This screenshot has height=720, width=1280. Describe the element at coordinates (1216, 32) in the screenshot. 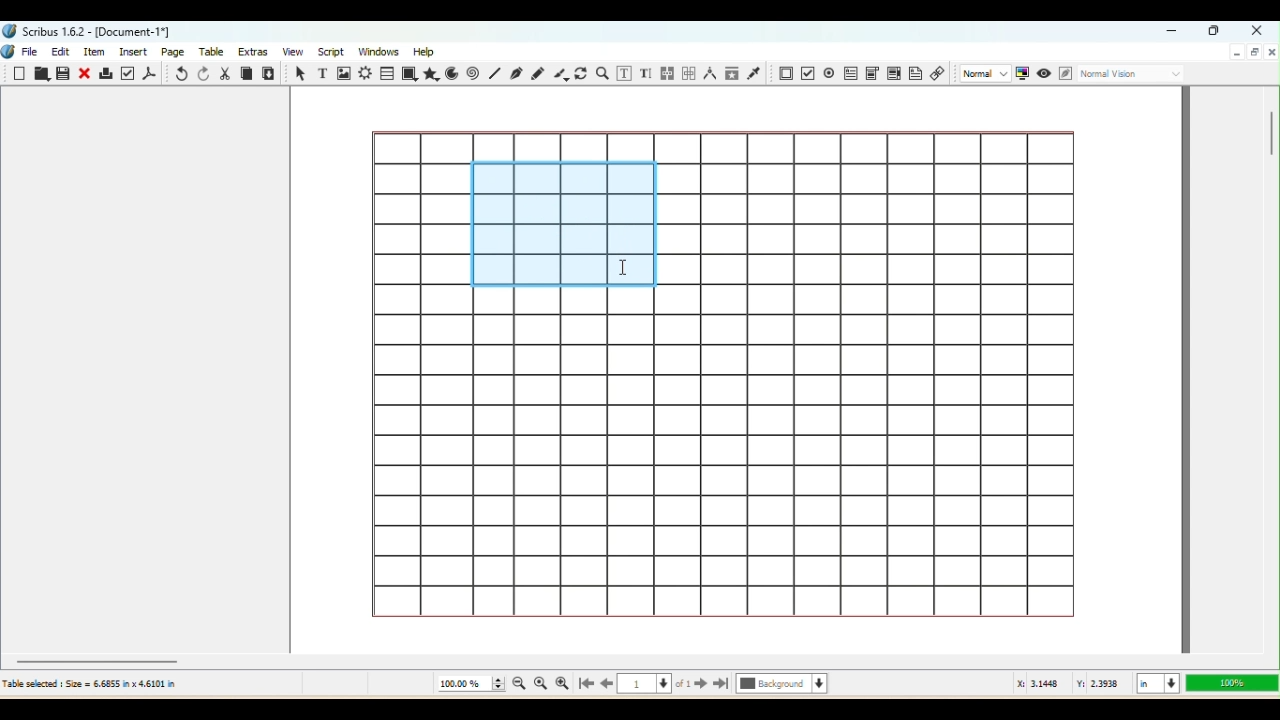

I see `Maximize` at that location.